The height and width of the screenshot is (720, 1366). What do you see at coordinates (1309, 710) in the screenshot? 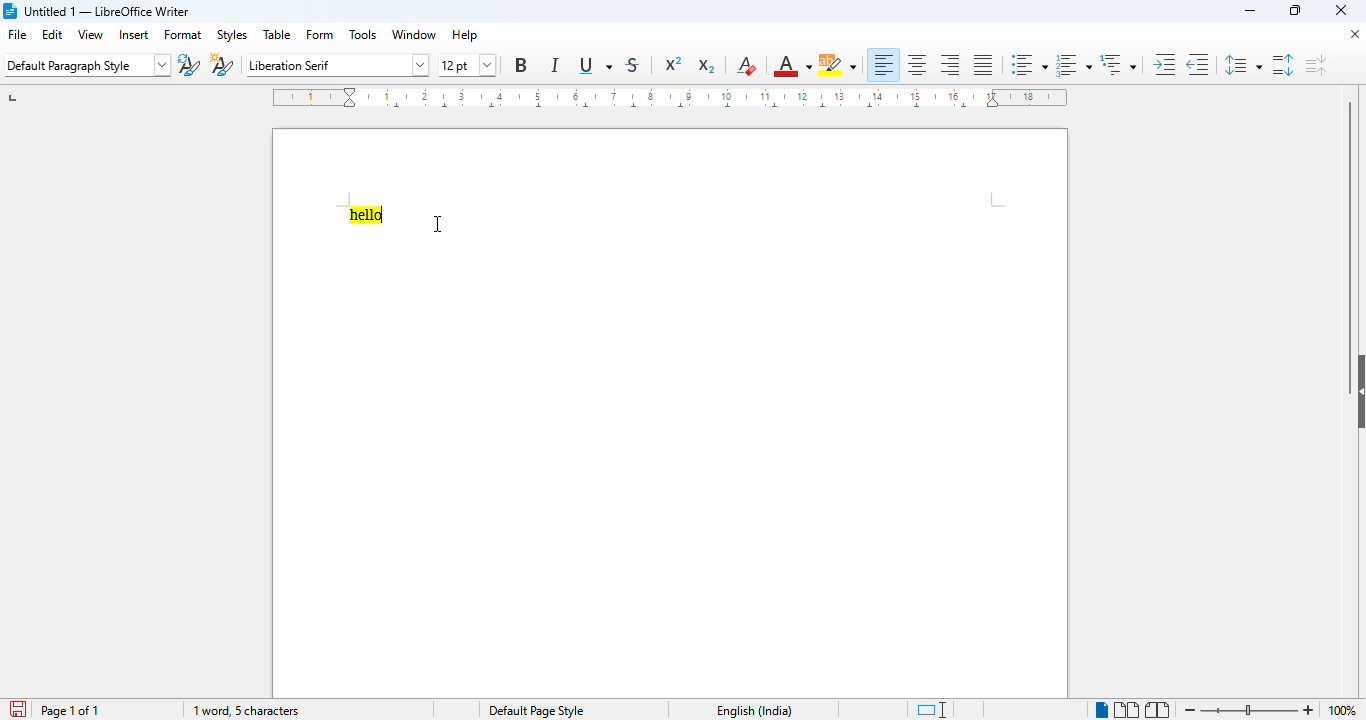
I see `zoom in` at bounding box center [1309, 710].